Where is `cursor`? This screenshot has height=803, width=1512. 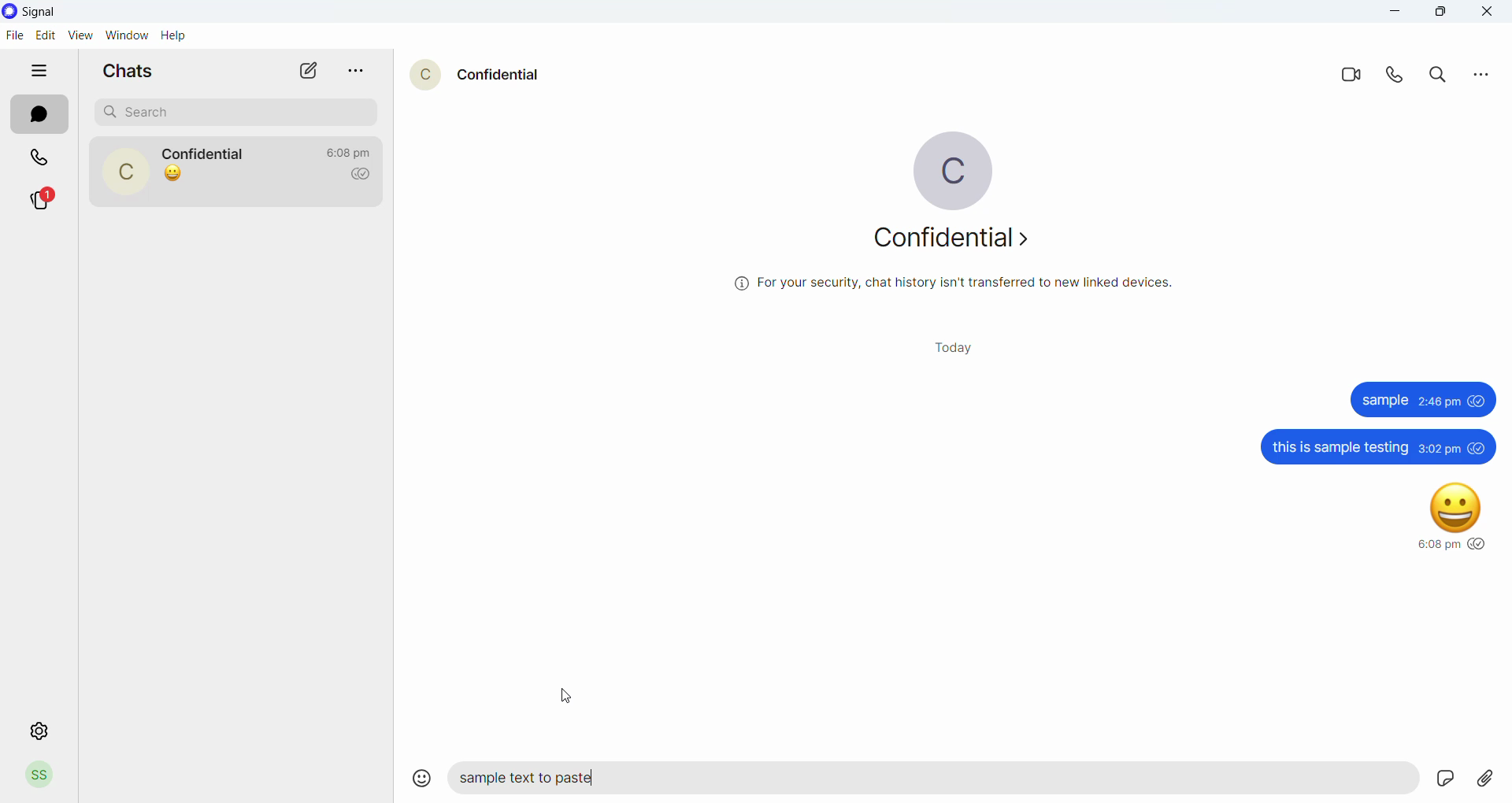
cursor is located at coordinates (563, 698).